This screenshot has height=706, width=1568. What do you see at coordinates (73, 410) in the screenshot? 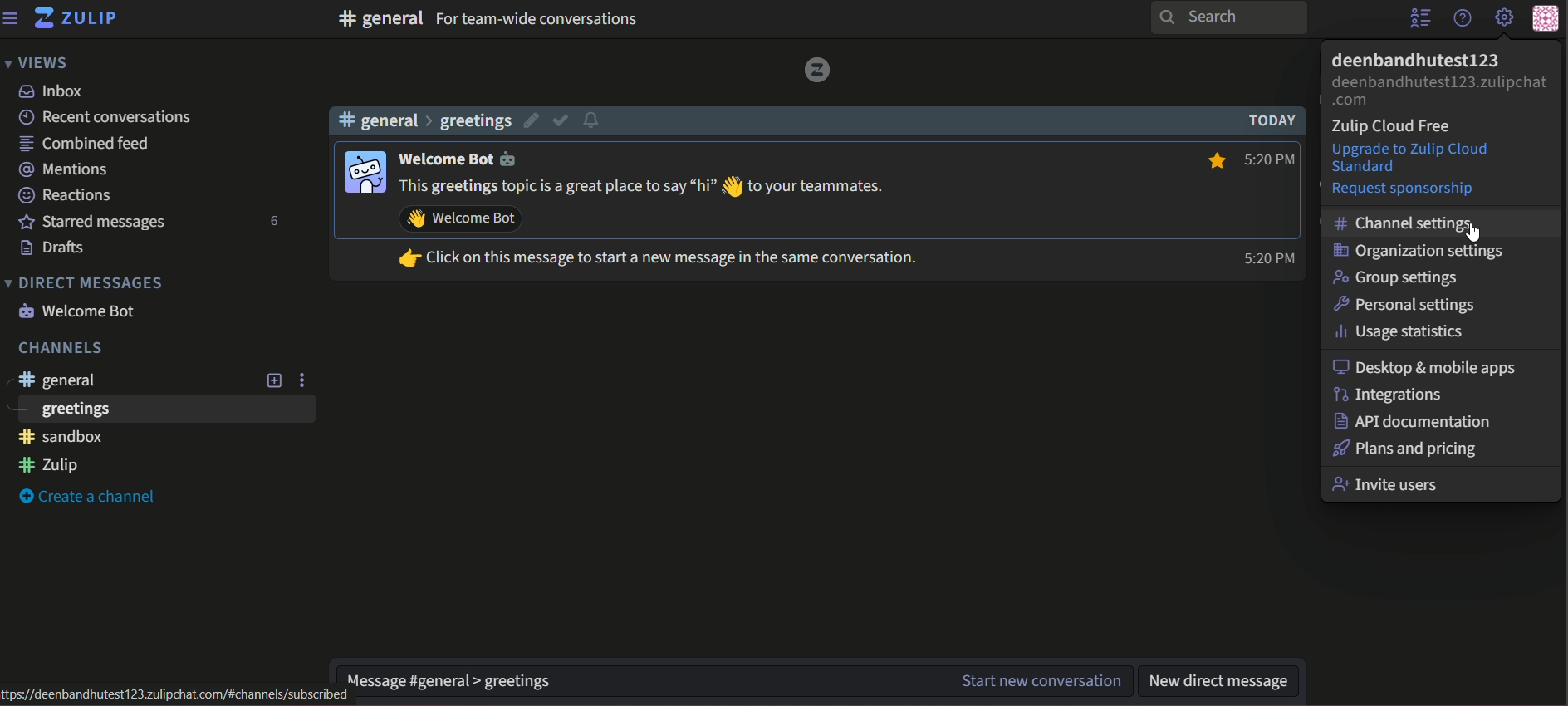
I see `greetings` at bounding box center [73, 410].